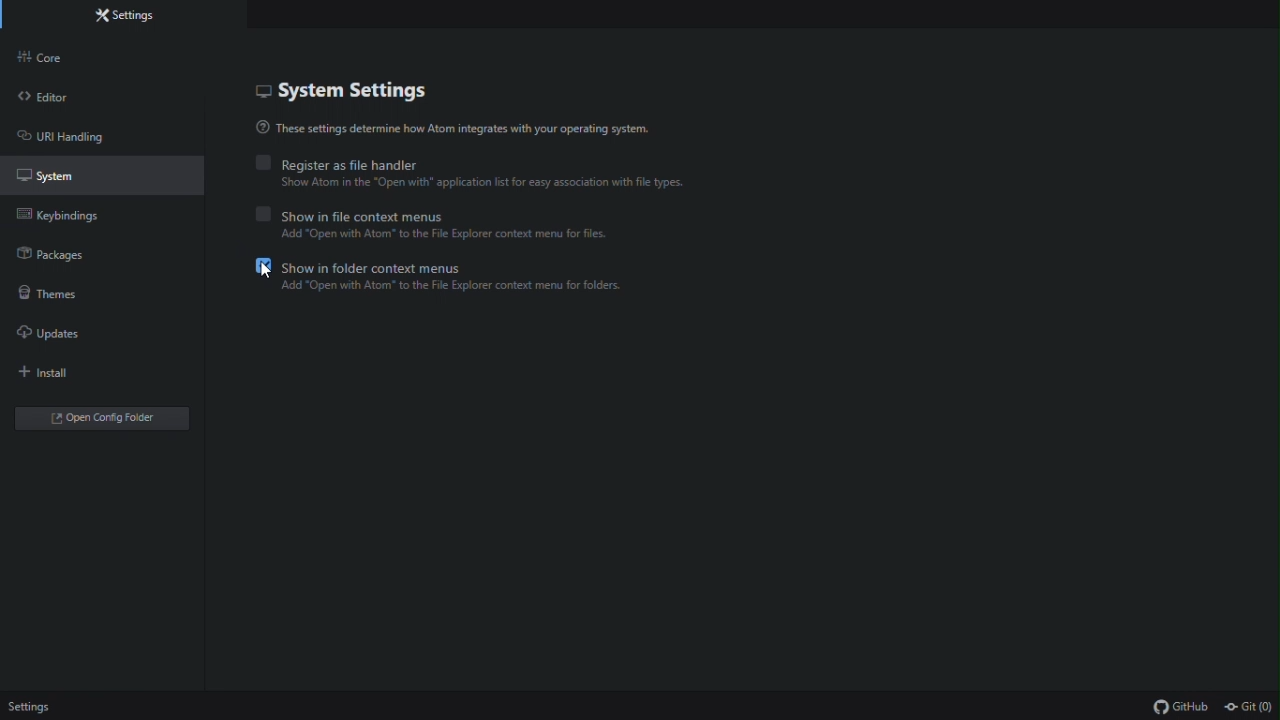 The width and height of the screenshot is (1280, 720). What do you see at coordinates (1171, 706) in the screenshot?
I see `Git Hub` at bounding box center [1171, 706].